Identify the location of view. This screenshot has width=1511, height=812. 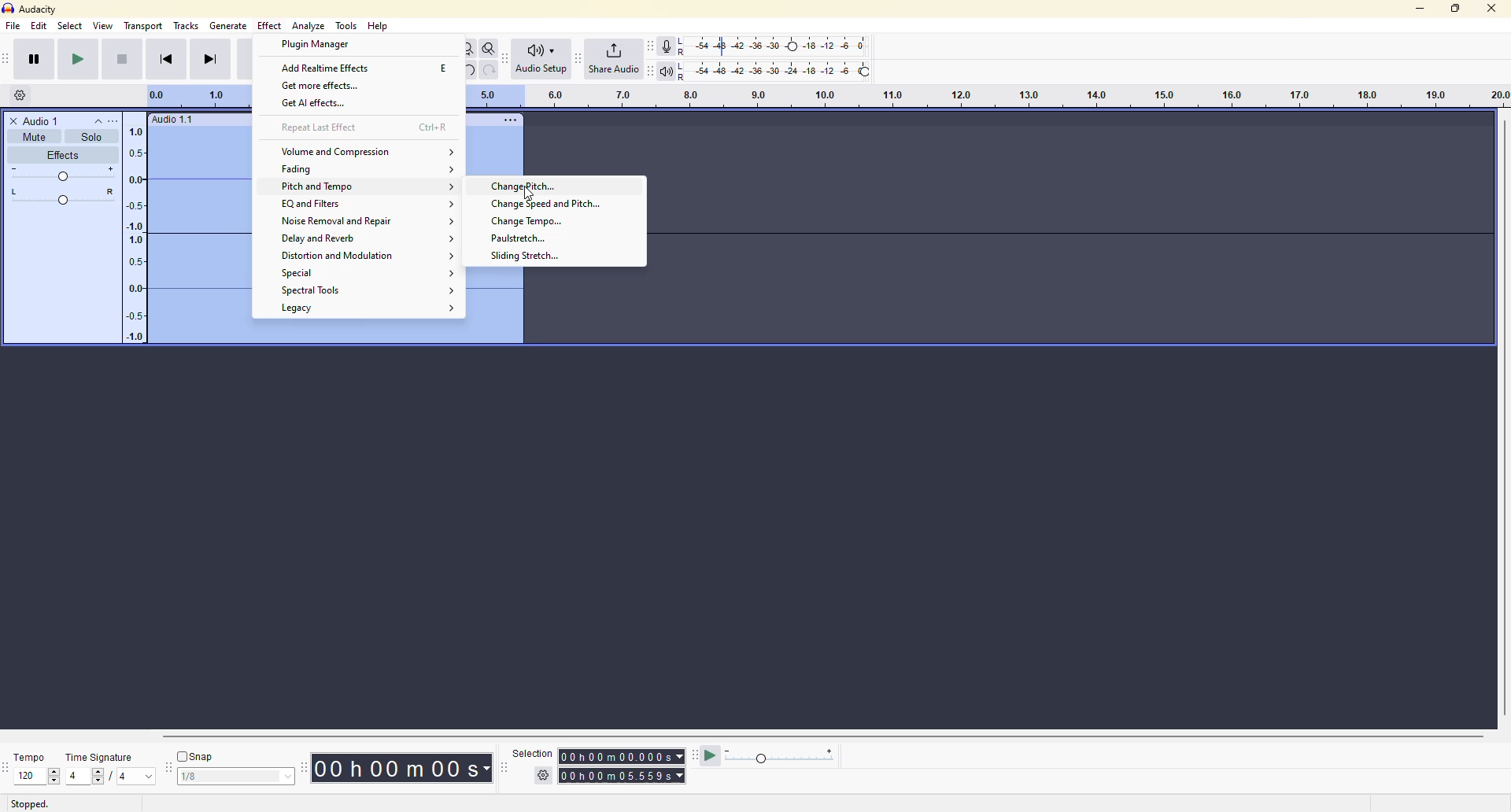
(104, 25).